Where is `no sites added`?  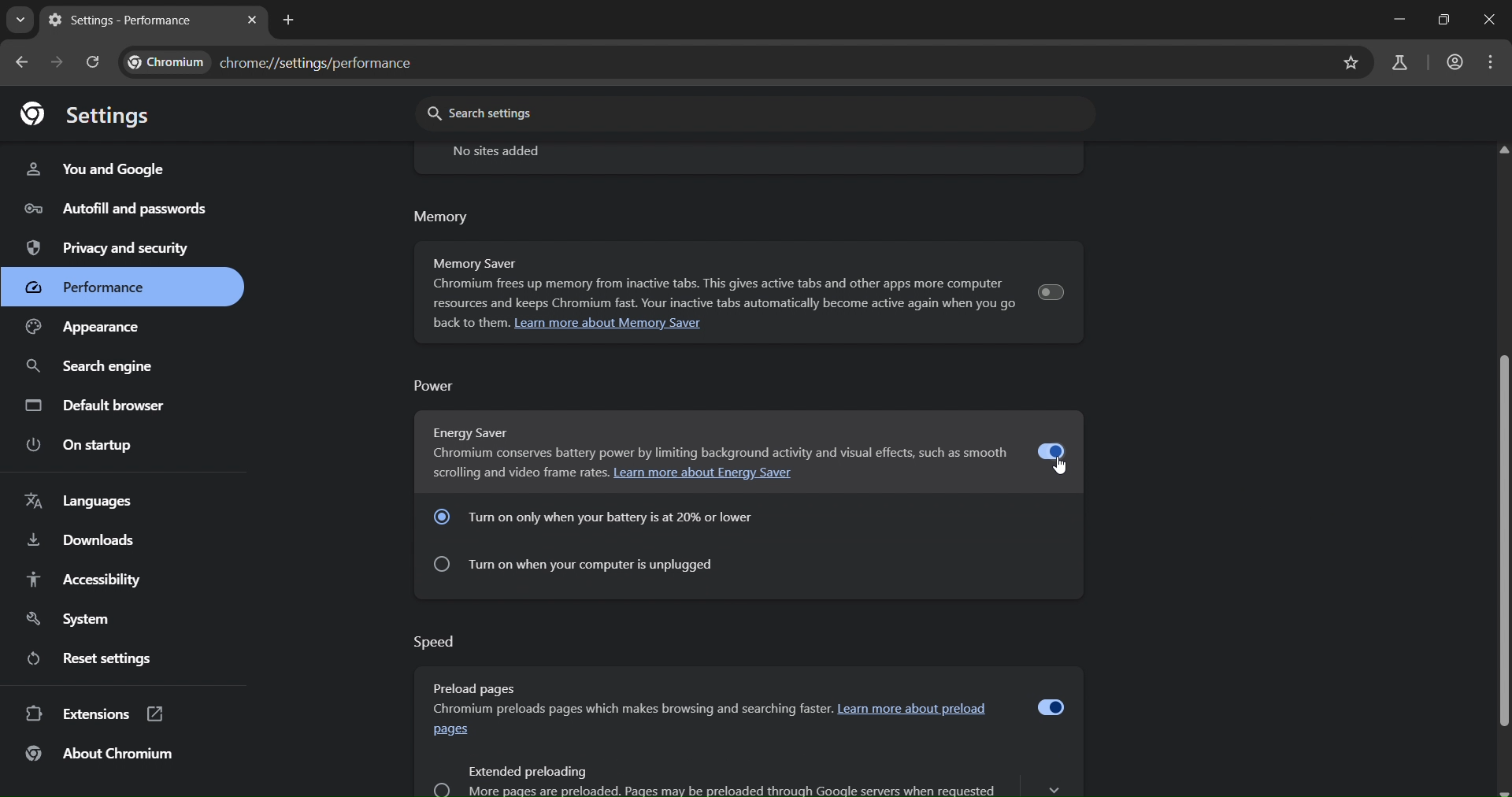 no sites added is located at coordinates (506, 152).